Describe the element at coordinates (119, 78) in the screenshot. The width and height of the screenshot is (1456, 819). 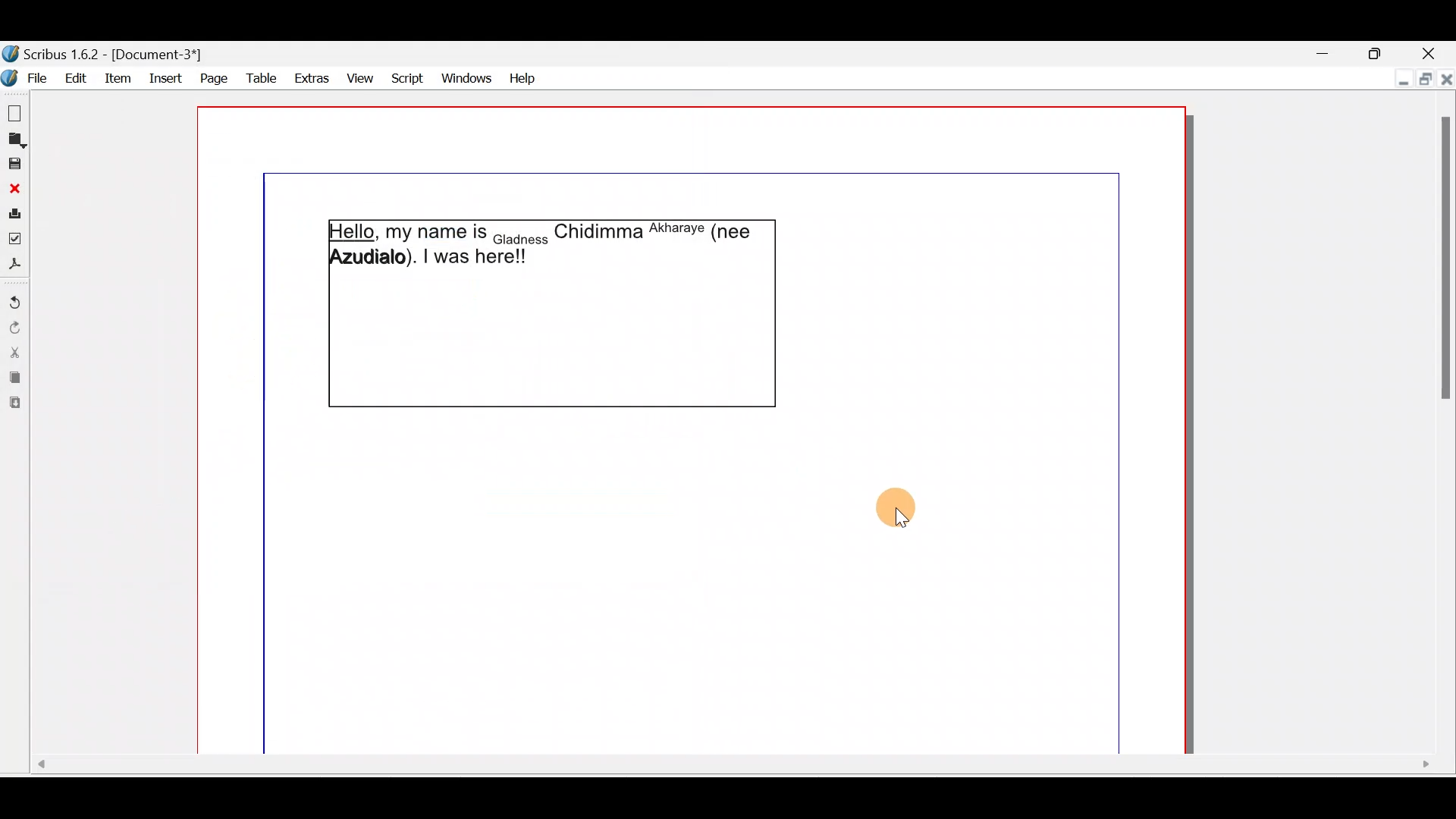
I see `Item` at that location.